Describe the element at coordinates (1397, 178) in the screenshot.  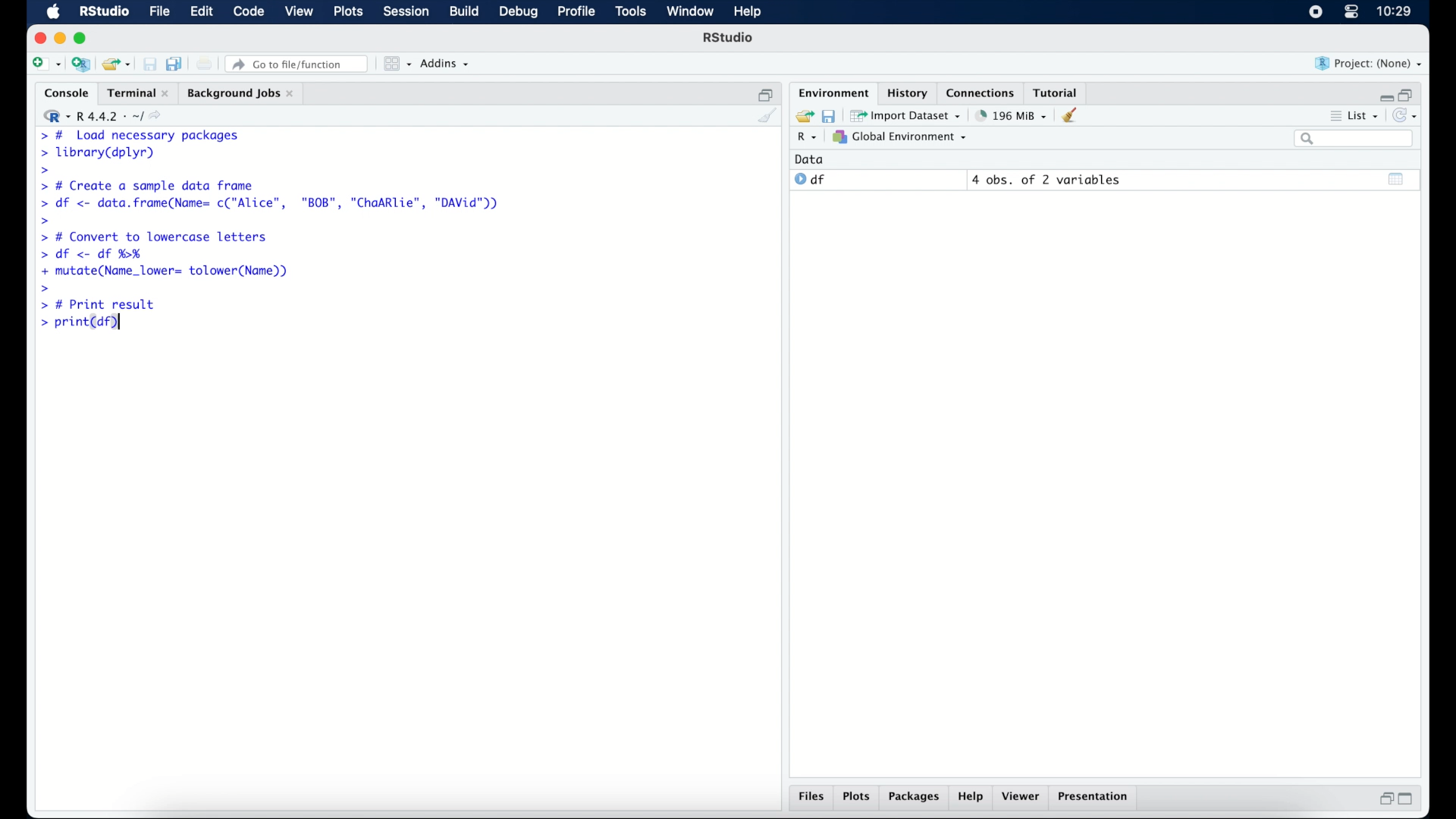
I see `show output  window` at that location.